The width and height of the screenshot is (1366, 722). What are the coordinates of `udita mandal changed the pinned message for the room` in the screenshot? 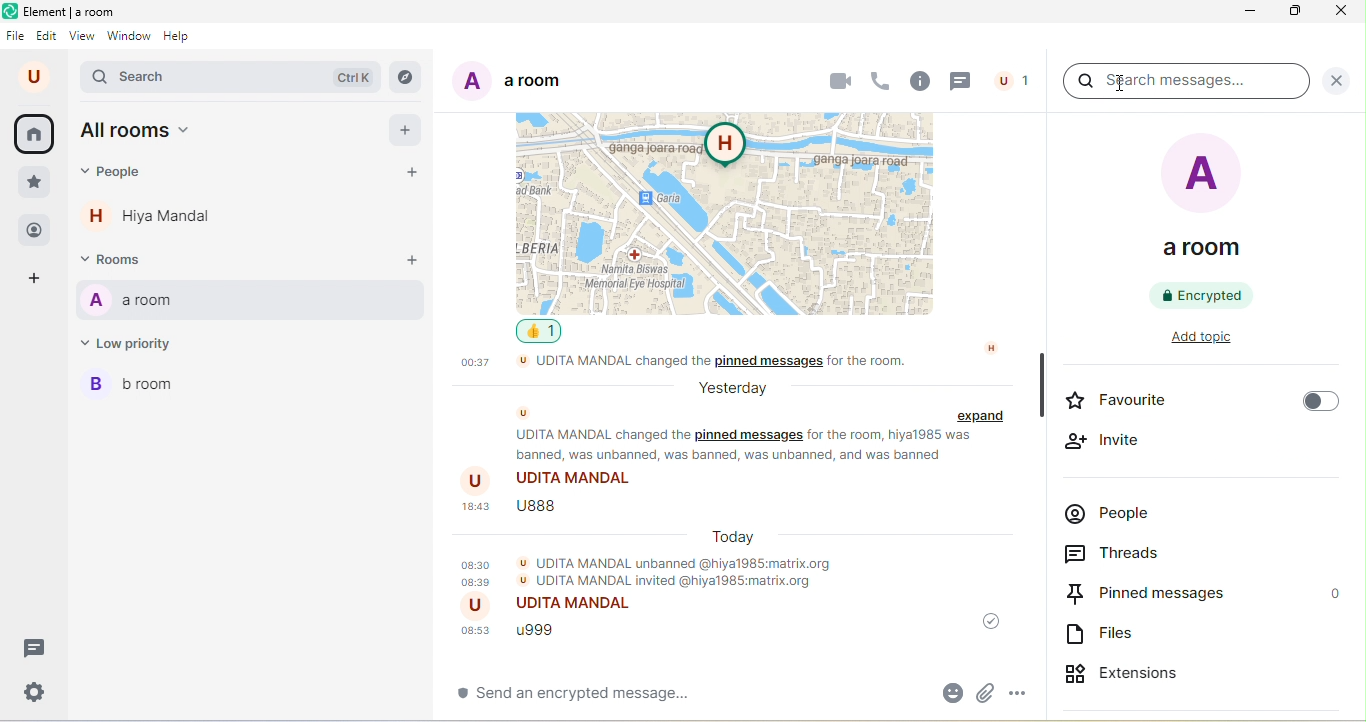 It's located at (725, 364).